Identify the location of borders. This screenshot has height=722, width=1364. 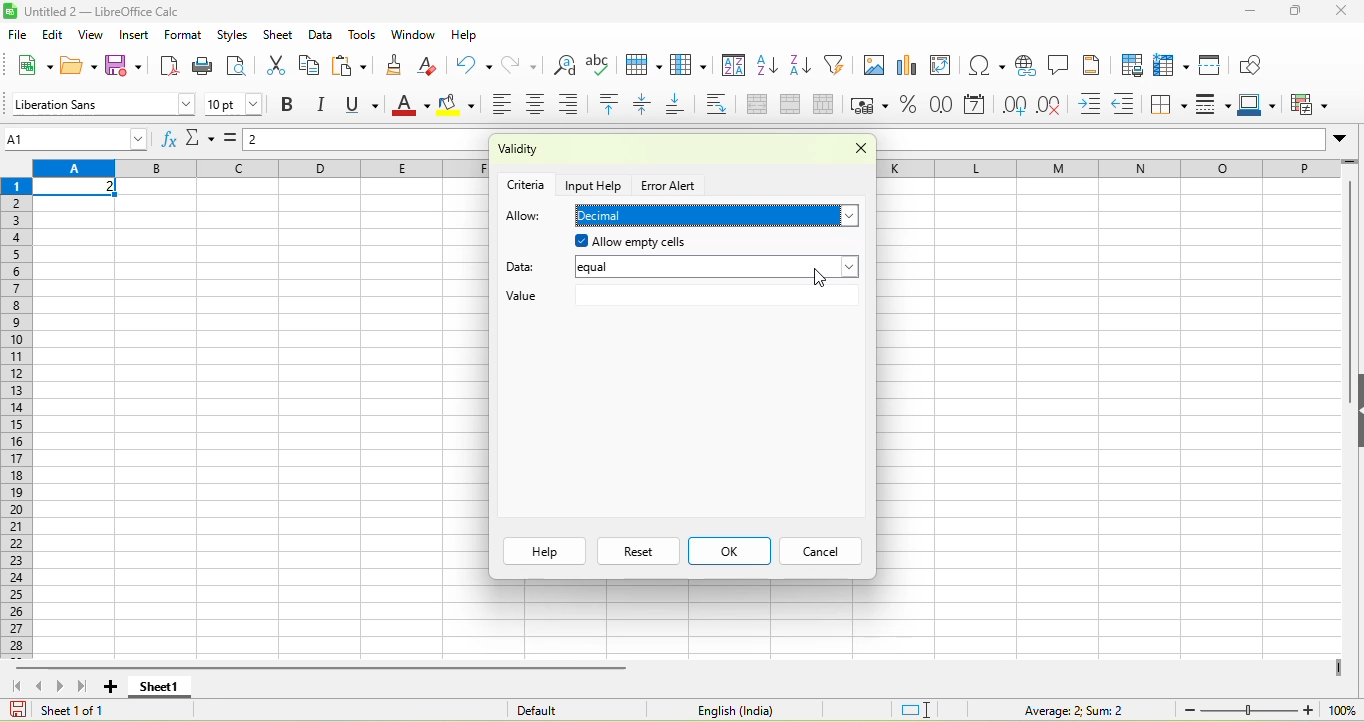
(1170, 105).